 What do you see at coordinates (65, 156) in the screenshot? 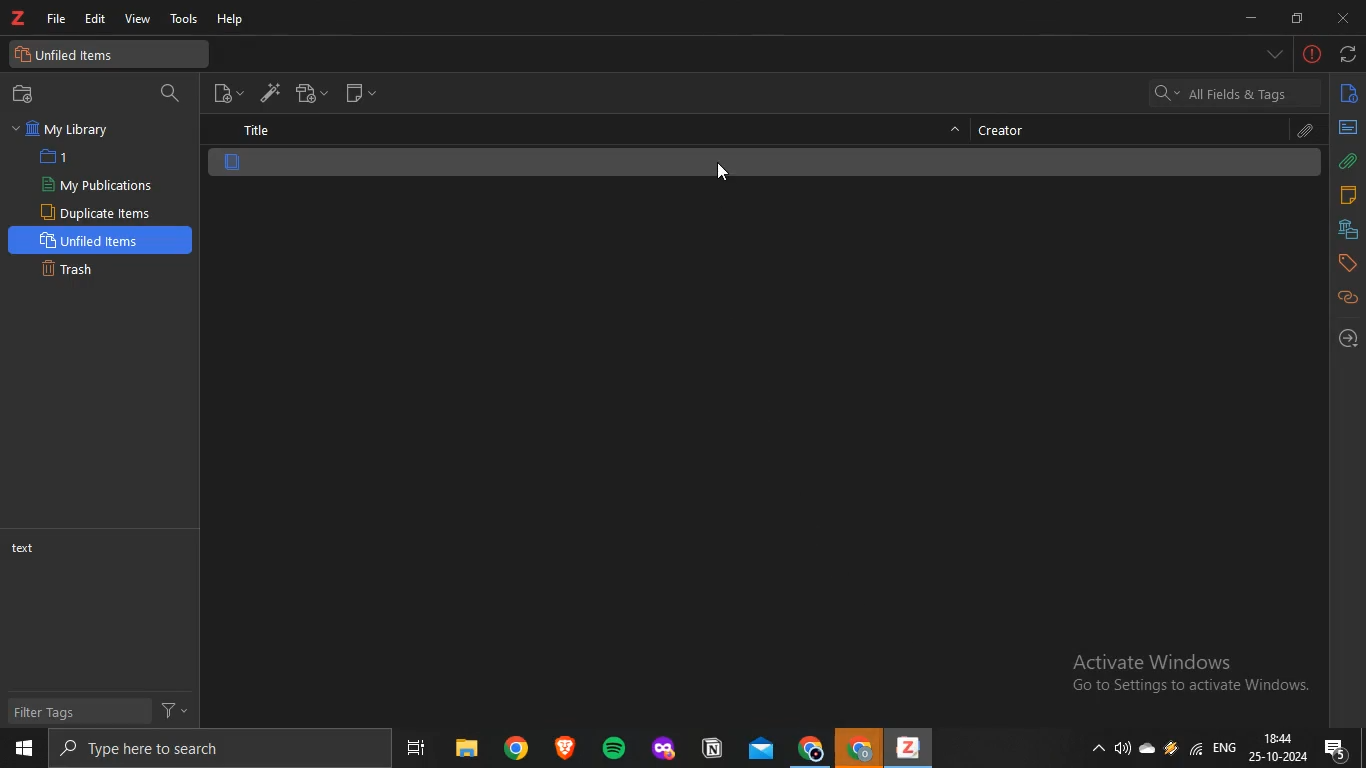
I see `1` at bounding box center [65, 156].